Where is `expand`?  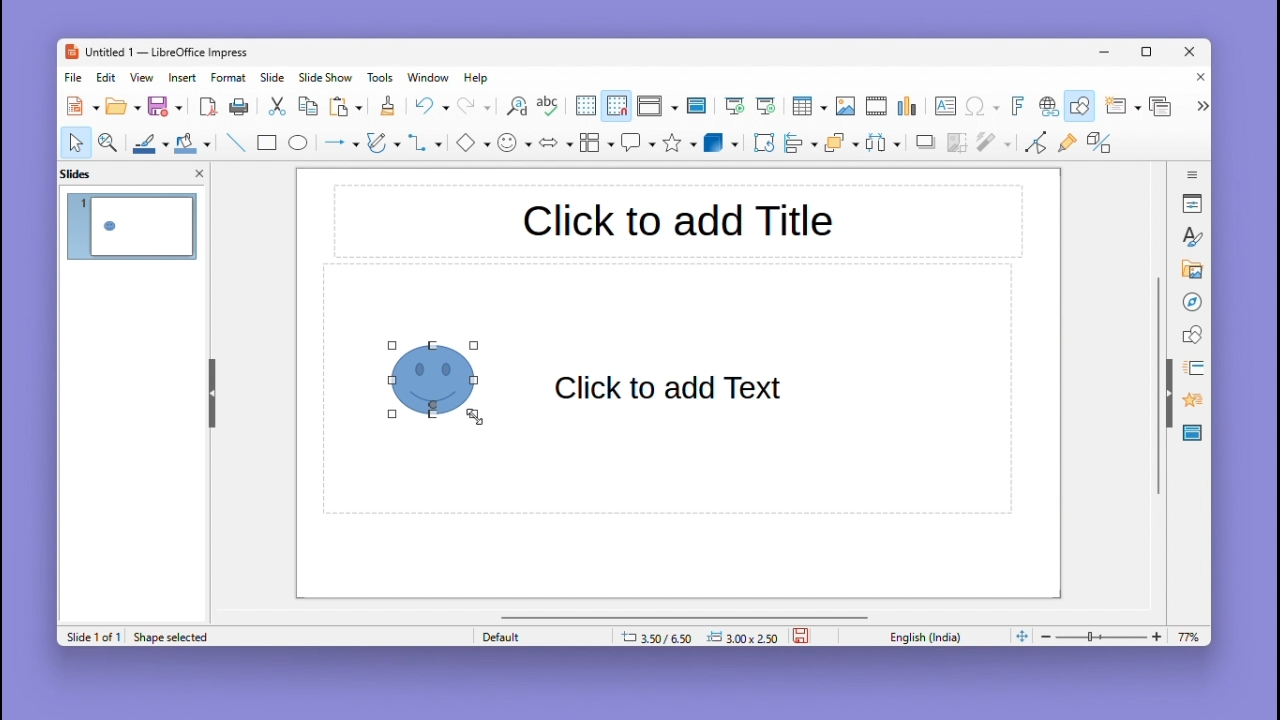 expand is located at coordinates (1200, 106).